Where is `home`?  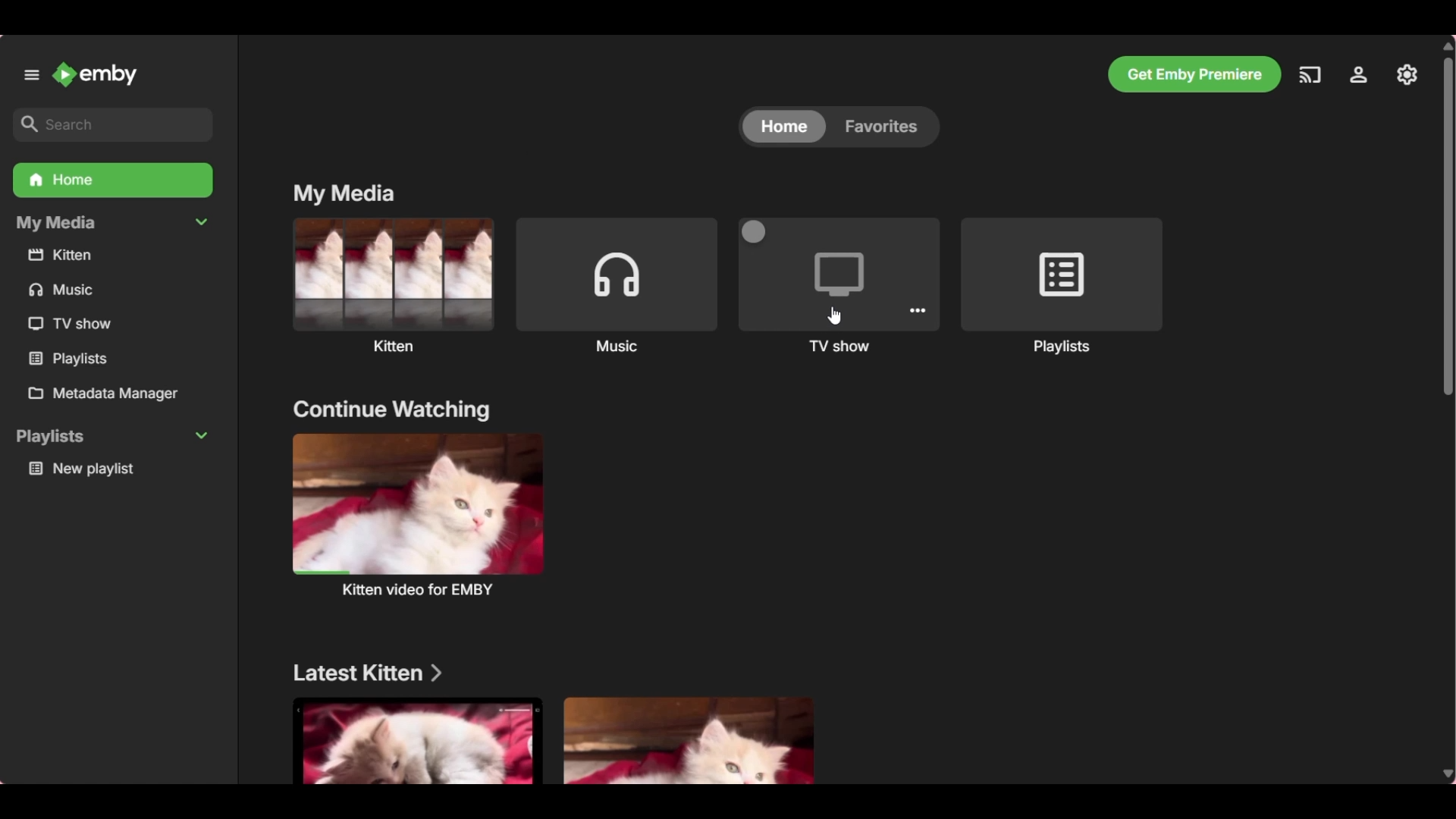 home is located at coordinates (787, 127).